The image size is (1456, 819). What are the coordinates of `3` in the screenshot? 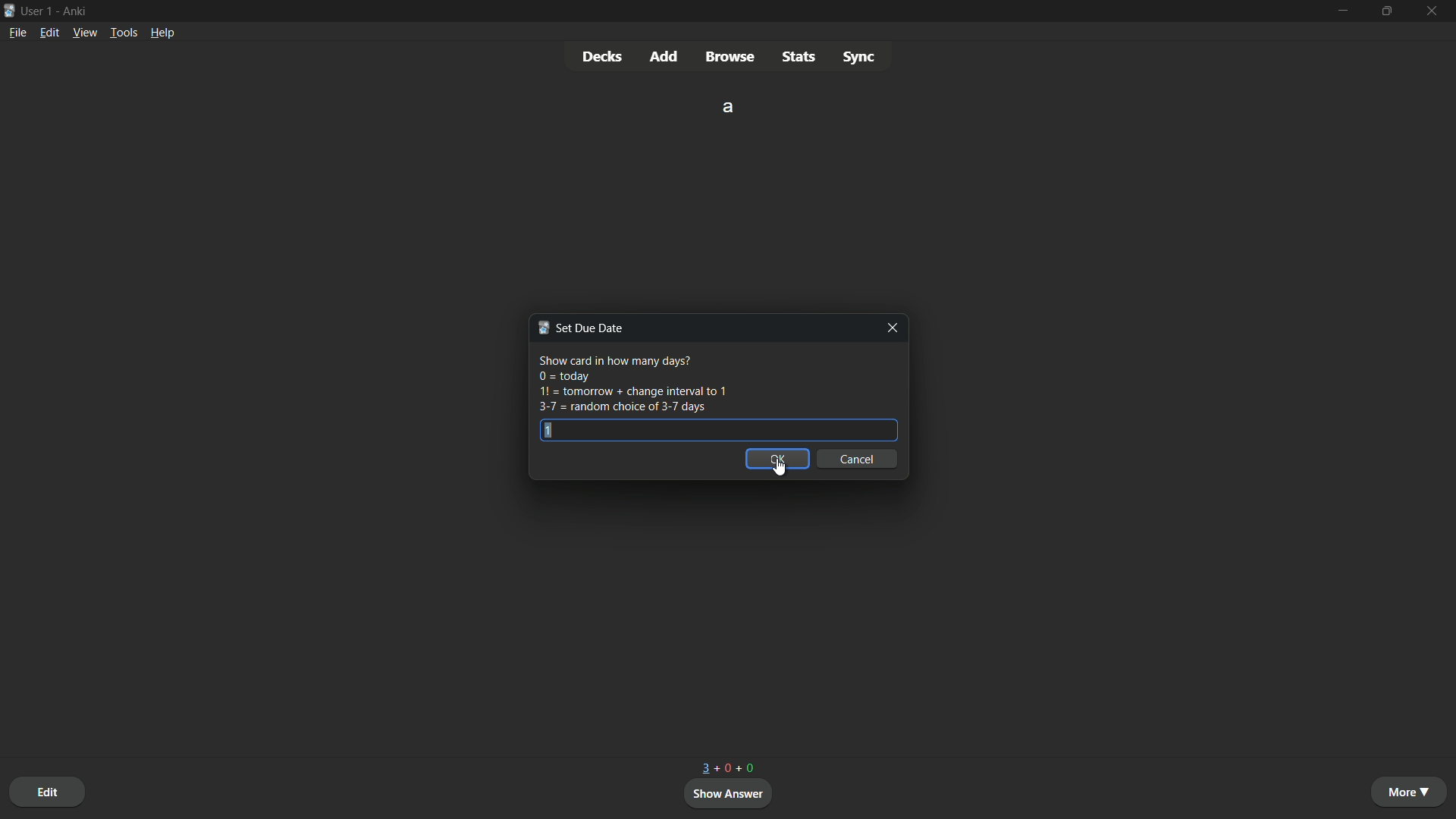 It's located at (707, 768).